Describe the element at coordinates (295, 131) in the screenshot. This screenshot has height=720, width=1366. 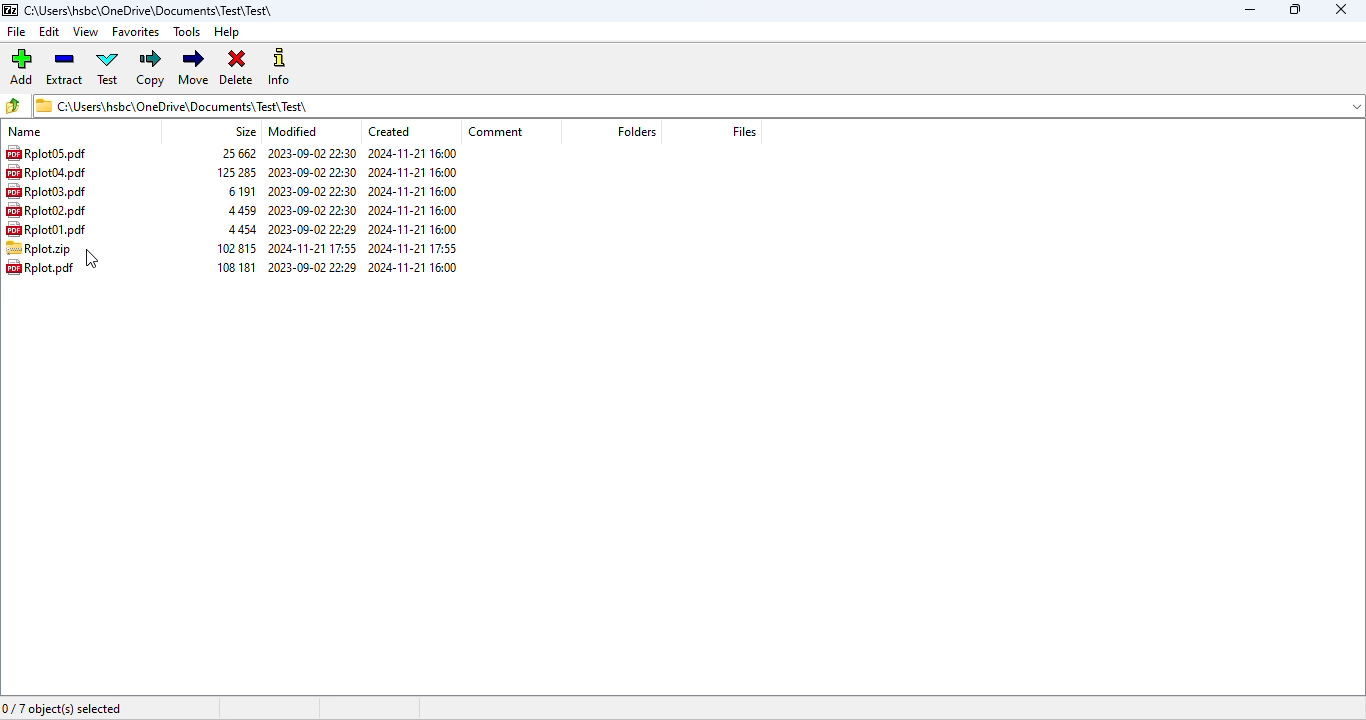
I see `modified` at that location.